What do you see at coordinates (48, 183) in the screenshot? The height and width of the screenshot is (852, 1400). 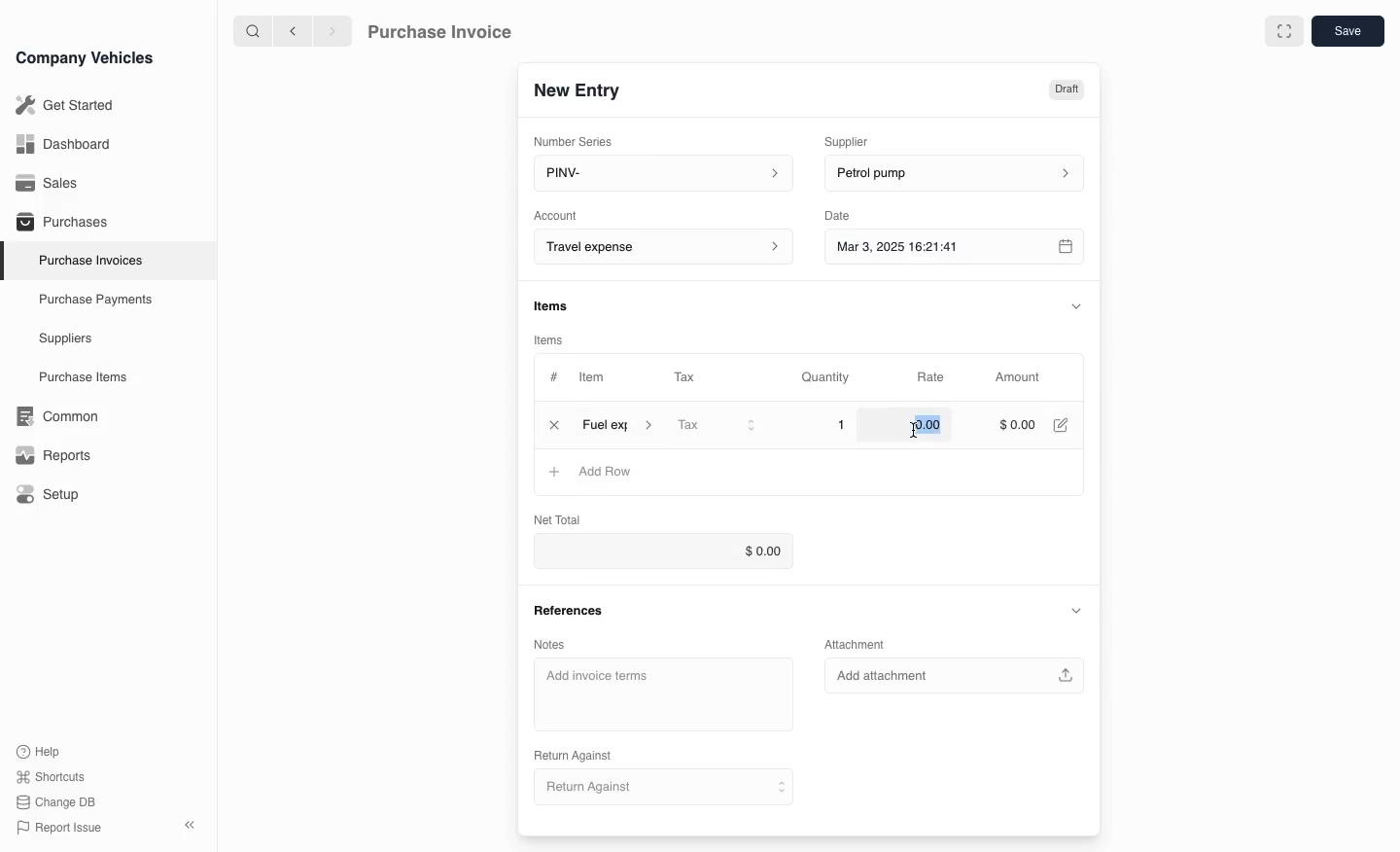 I see `Sales` at bounding box center [48, 183].